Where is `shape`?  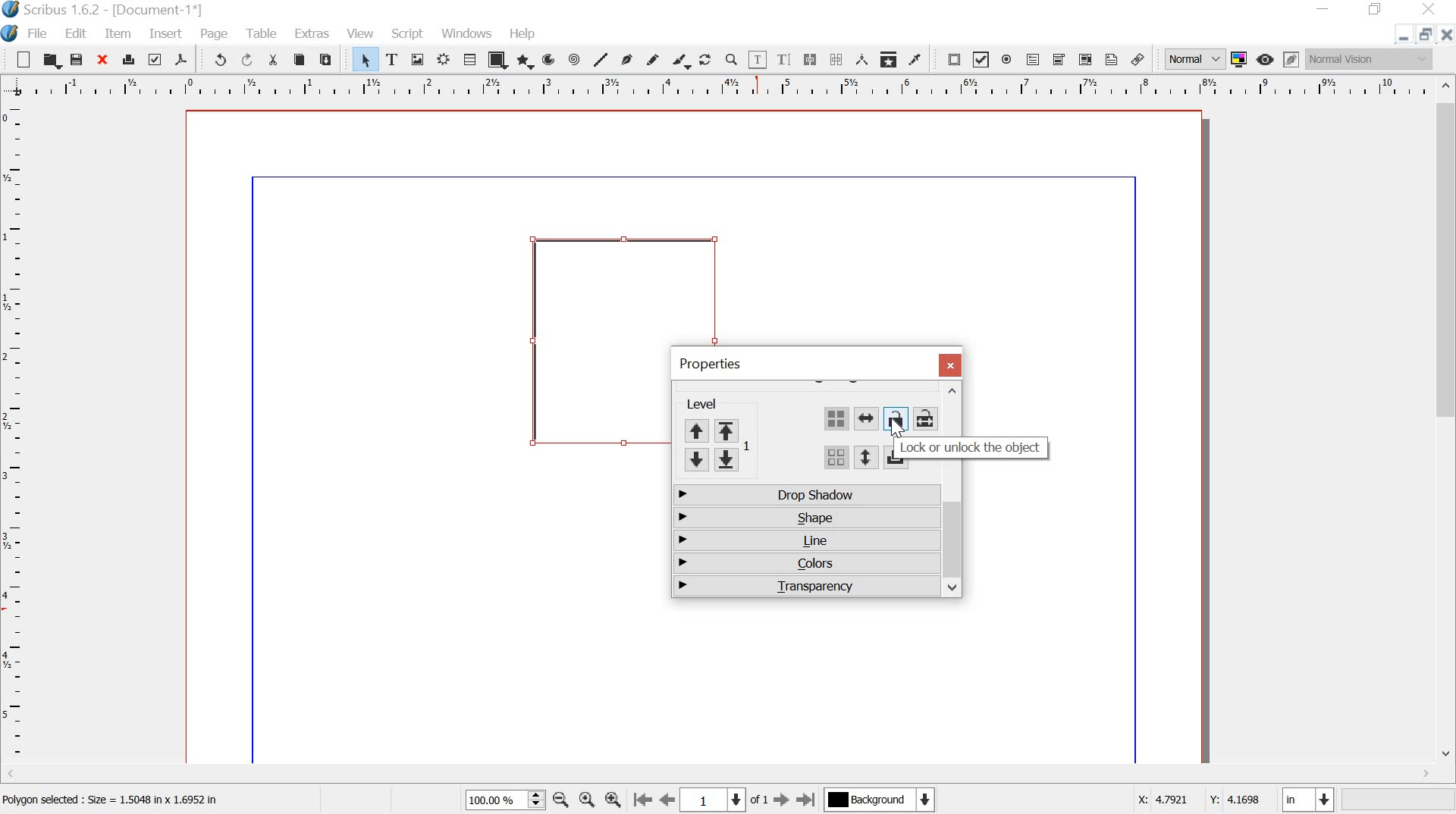
shape is located at coordinates (498, 60).